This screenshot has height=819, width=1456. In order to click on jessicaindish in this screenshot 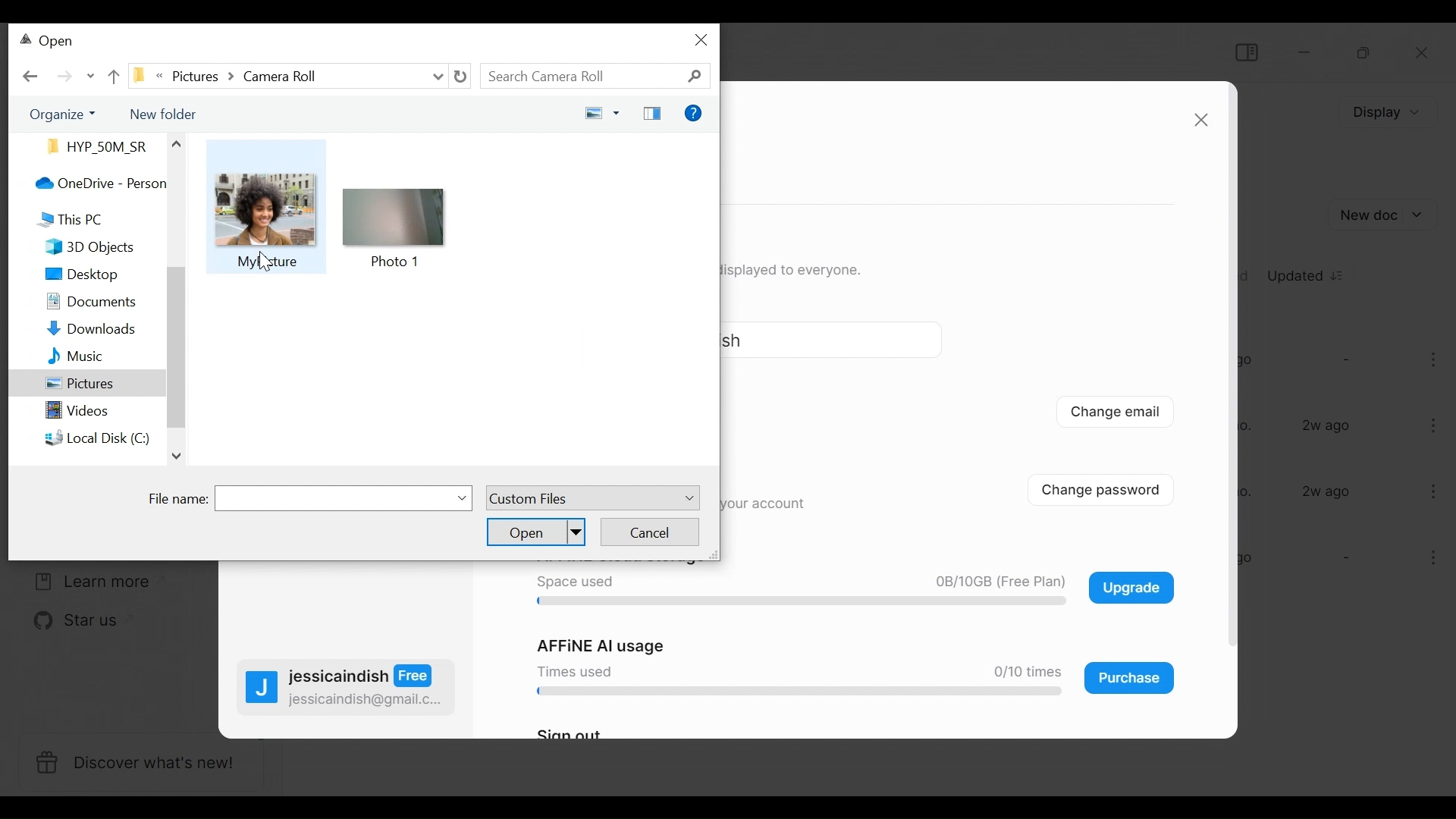, I will do `click(362, 676)`.